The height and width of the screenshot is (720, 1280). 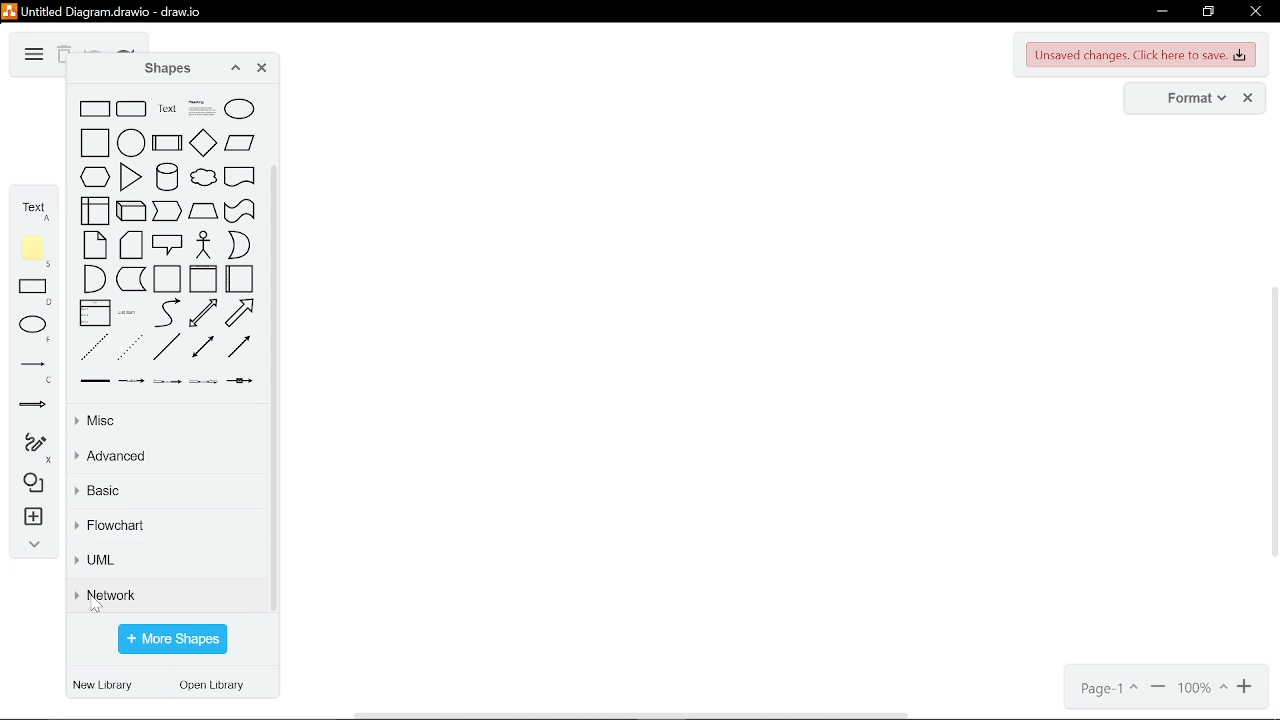 I want to click on freehand, so click(x=30, y=448).